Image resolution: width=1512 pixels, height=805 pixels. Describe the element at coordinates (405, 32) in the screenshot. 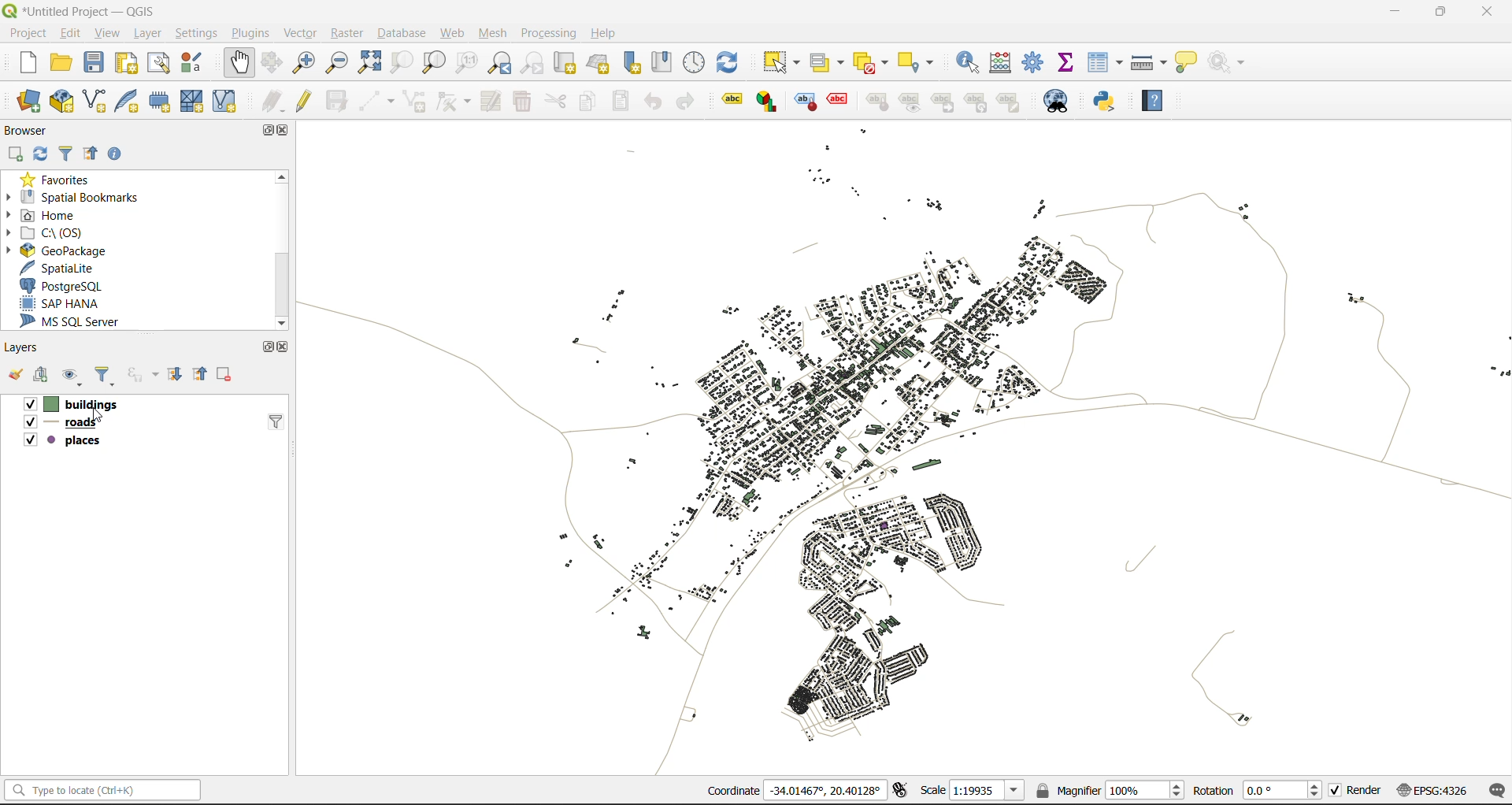

I see `database` at that location.